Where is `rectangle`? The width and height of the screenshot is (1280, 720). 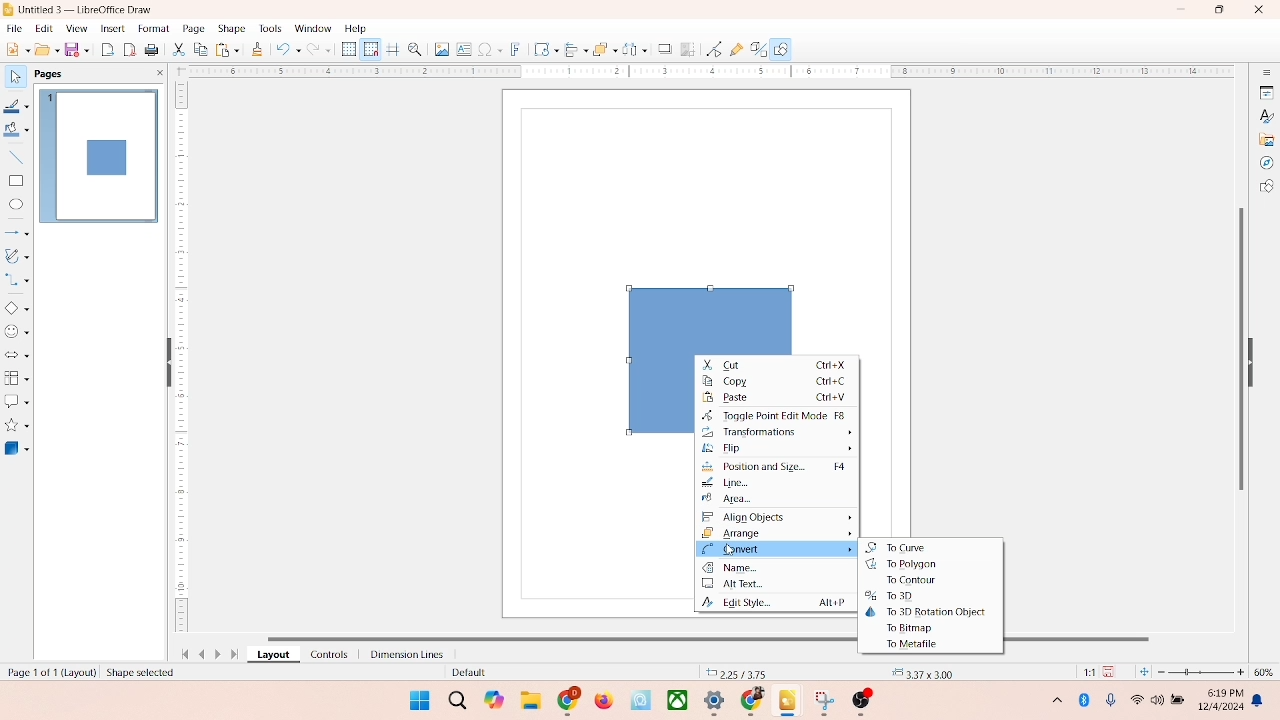
rectangle is located at coordinates (16, 180).